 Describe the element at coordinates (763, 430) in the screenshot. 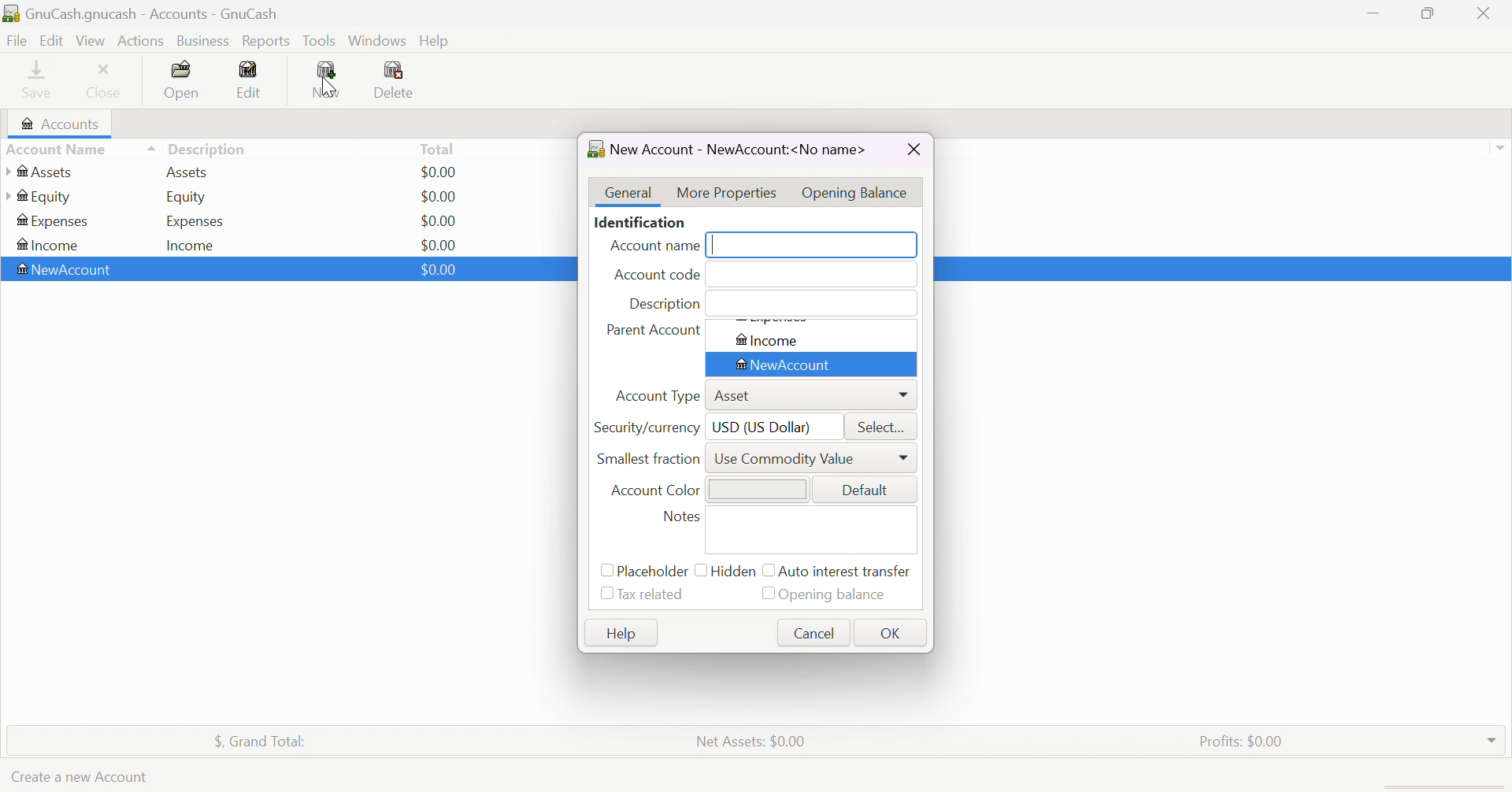

I see `USD (US Dollar)` at that location.